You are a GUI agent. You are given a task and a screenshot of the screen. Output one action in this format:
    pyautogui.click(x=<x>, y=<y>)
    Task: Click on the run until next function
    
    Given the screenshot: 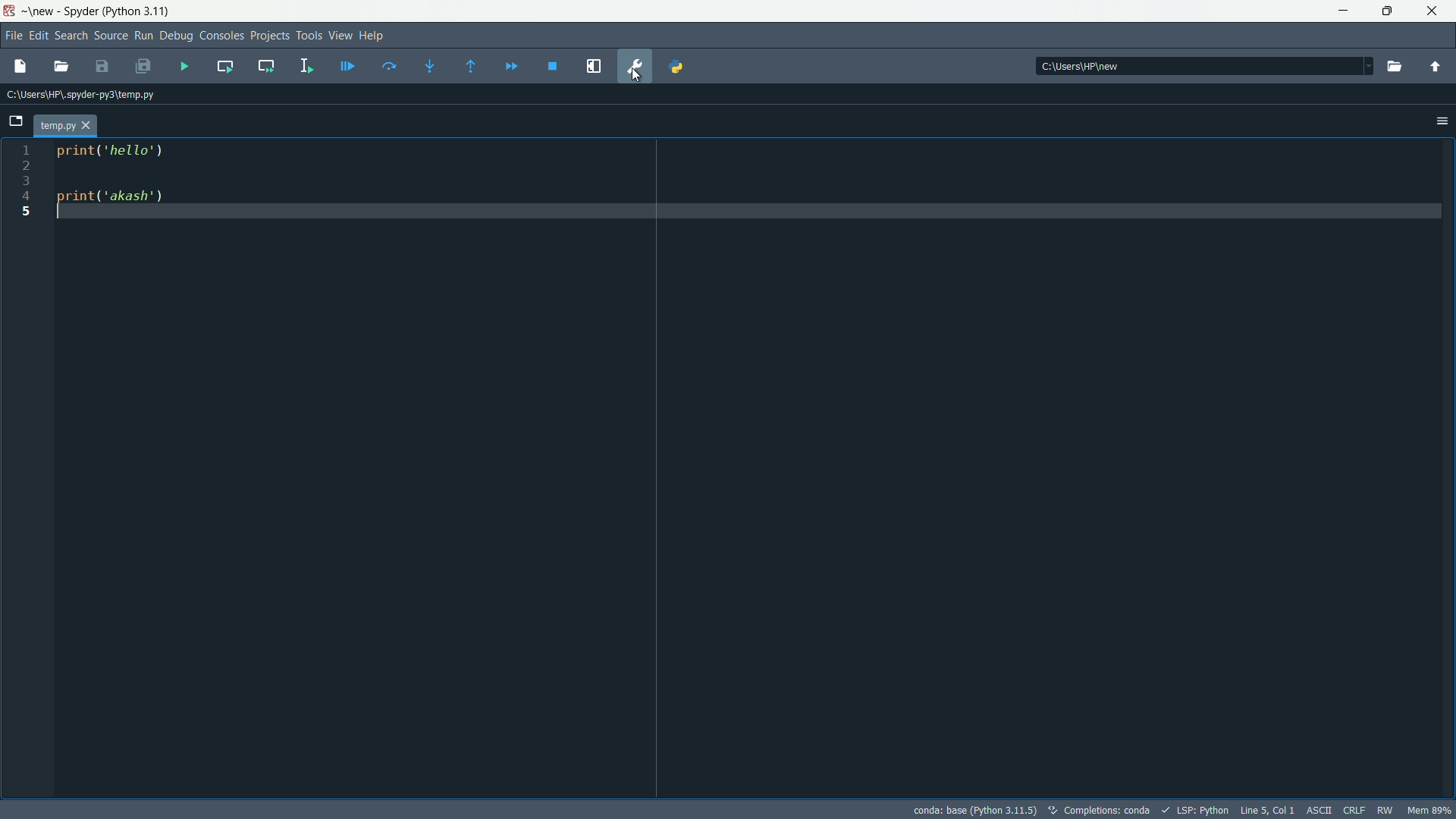 What is the action you would take?
    pyautogui.click(x=472, y=67)
    